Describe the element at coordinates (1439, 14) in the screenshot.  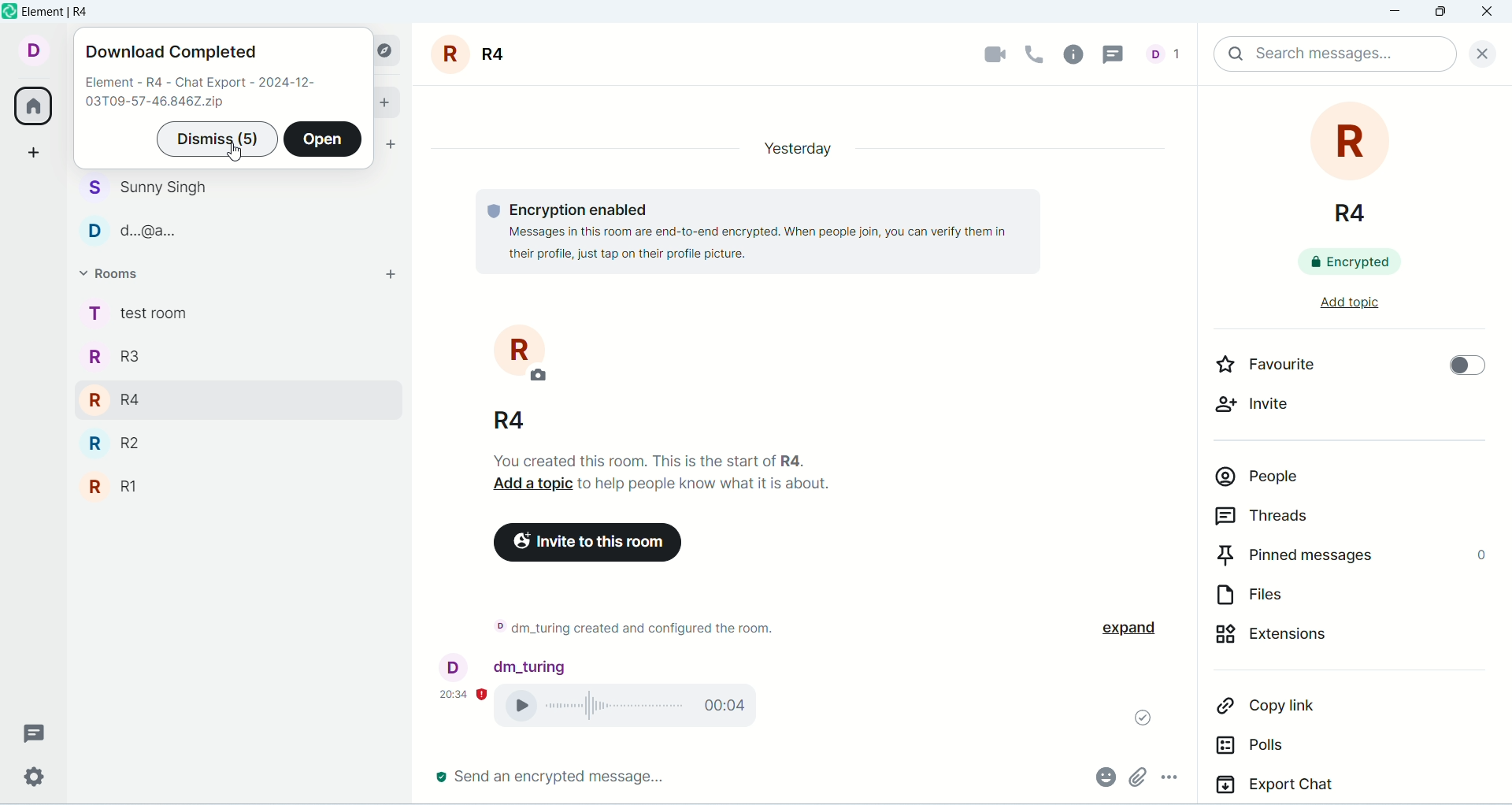
I see `maximize` at that location.